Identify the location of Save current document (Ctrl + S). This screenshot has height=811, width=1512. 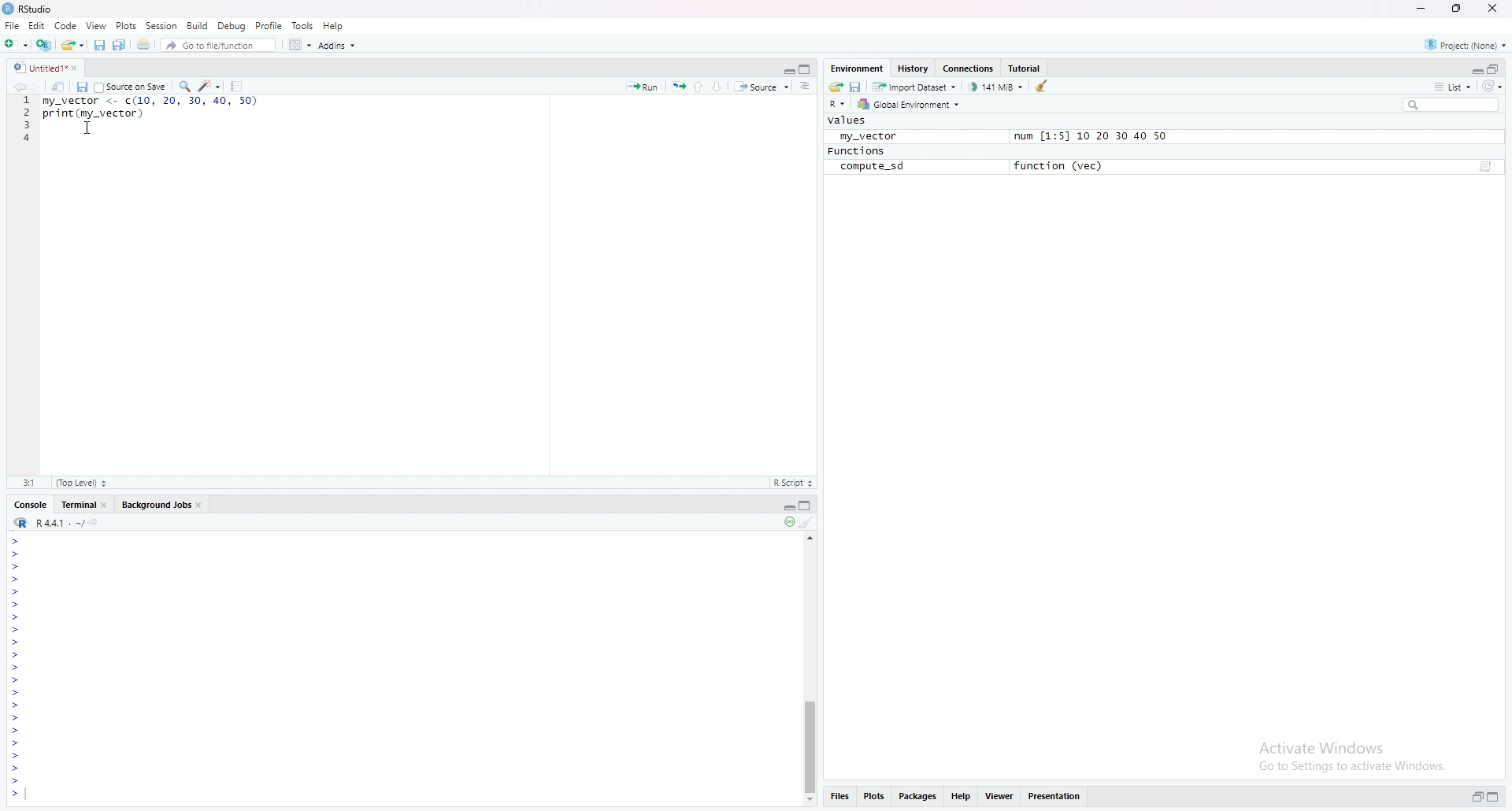
(99, 45).